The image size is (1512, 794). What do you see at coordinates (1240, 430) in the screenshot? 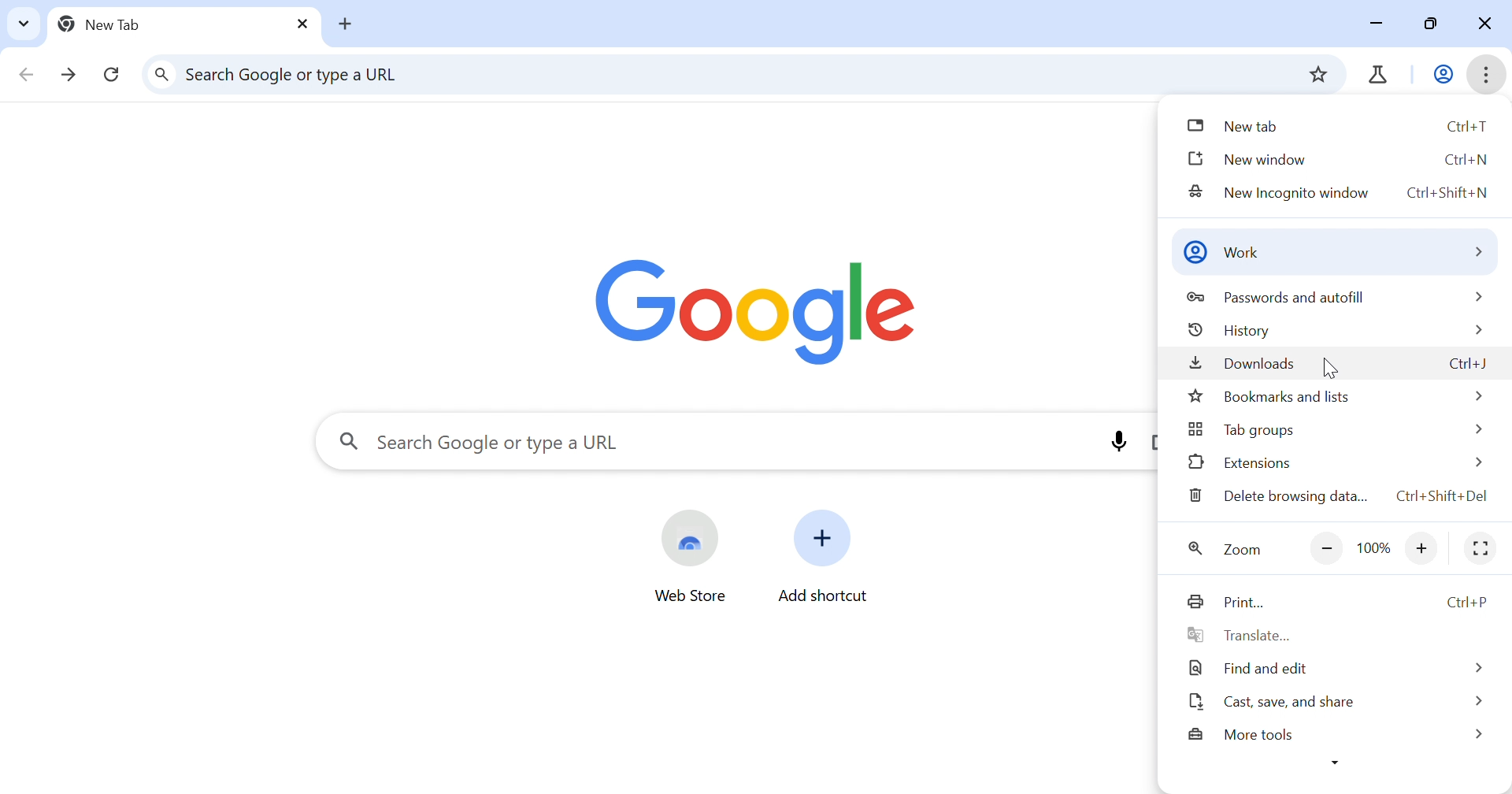
I see `Tag groups` at bounding box center [1240, 430].